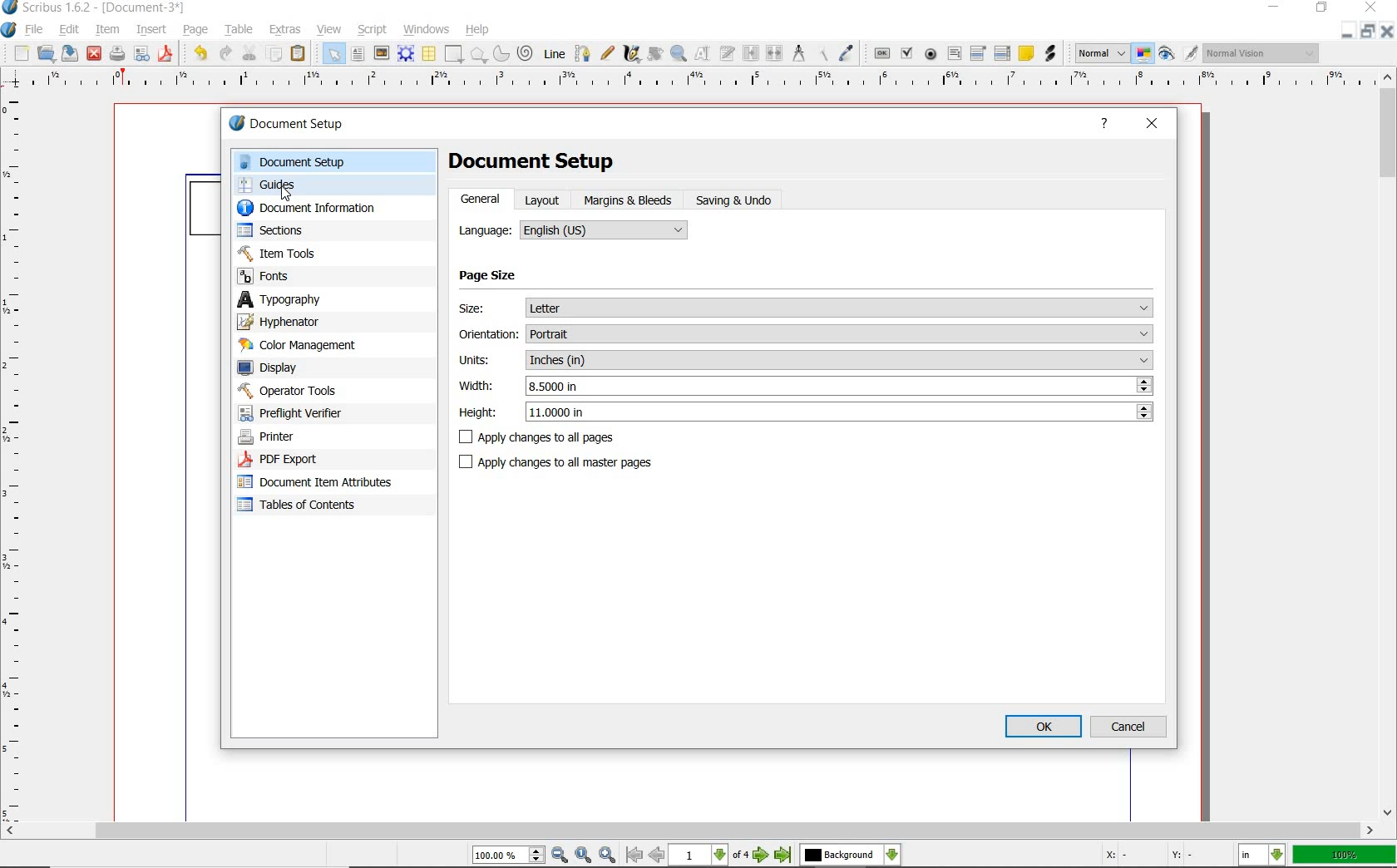 This screenshot has height=868, width=1397. Describe the element at coordinates (737, 199) in the screenshot. I see `saving & undo` at that location.